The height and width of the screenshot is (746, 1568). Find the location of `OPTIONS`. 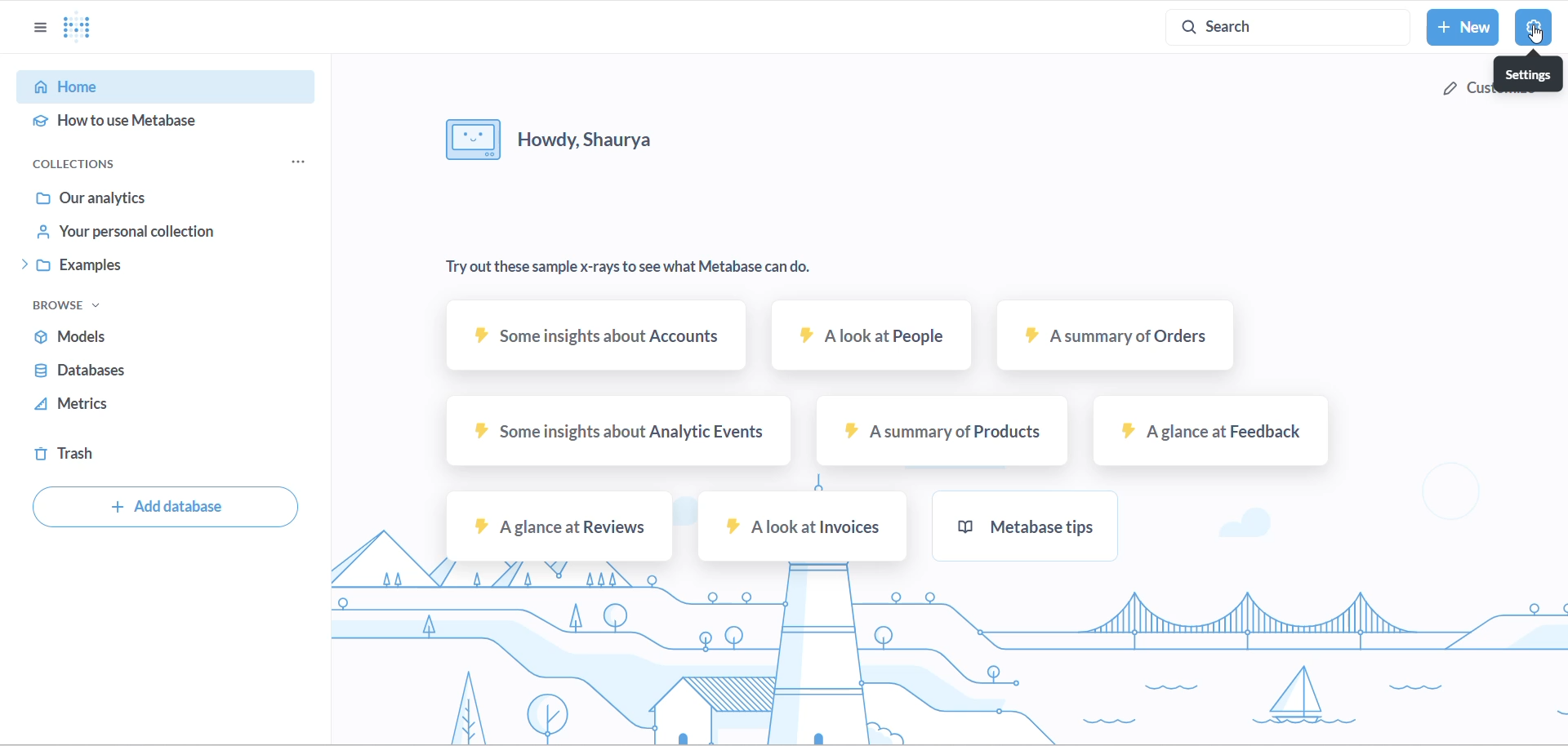

OPTIONS is located at coordinates (38, 25).